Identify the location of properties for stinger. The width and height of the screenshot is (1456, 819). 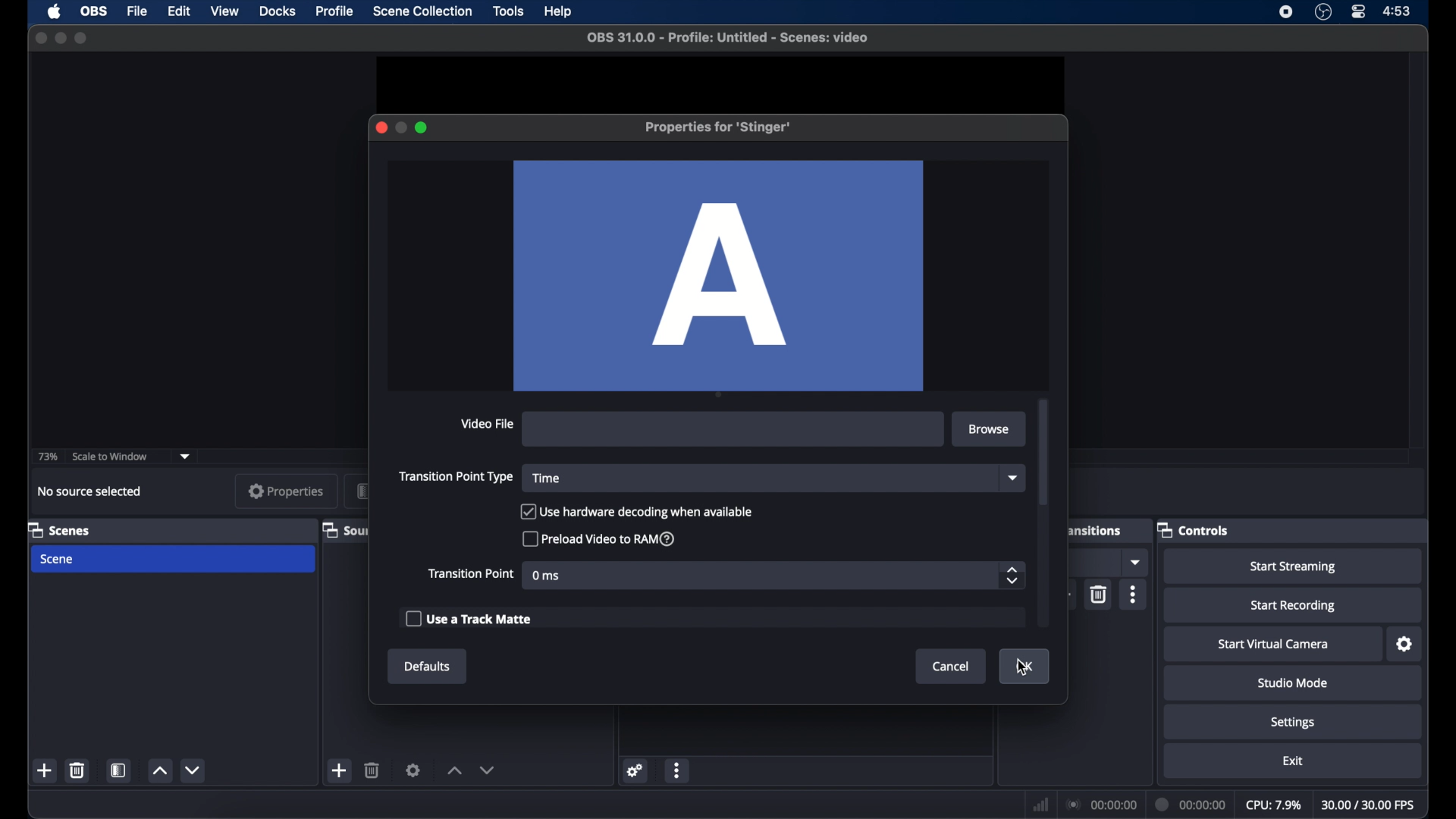
(720, 127).